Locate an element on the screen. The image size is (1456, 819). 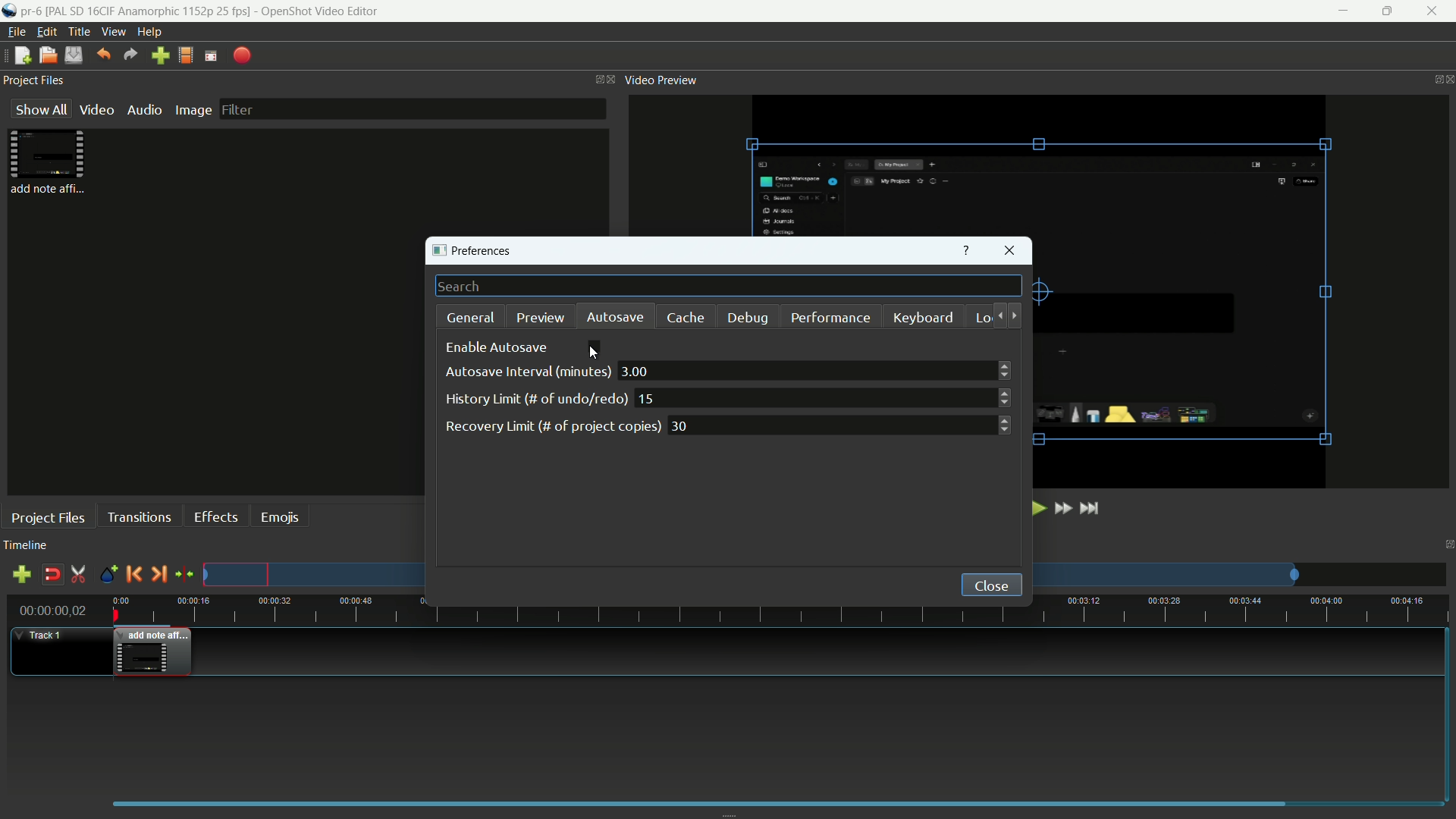
change layout is located at coordinates (1433, 78).